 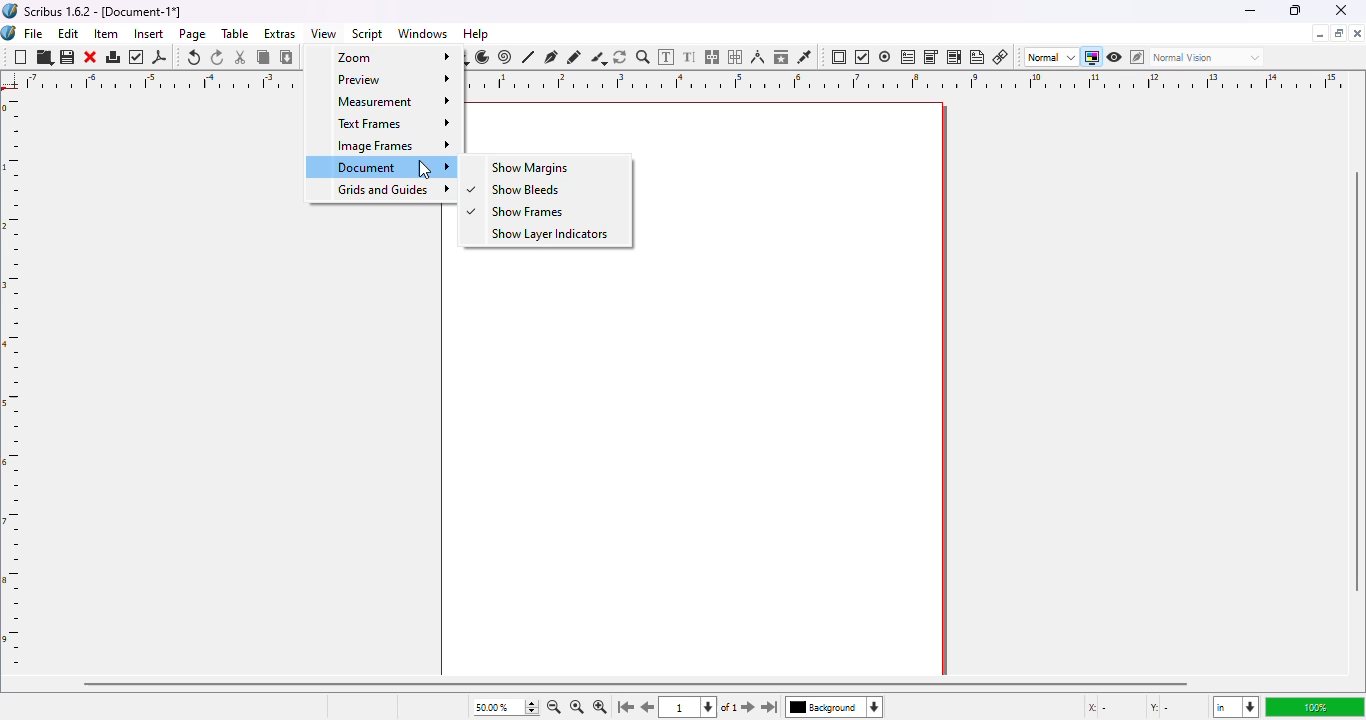 I want to click on freehand line, so click(x=574, y=57).